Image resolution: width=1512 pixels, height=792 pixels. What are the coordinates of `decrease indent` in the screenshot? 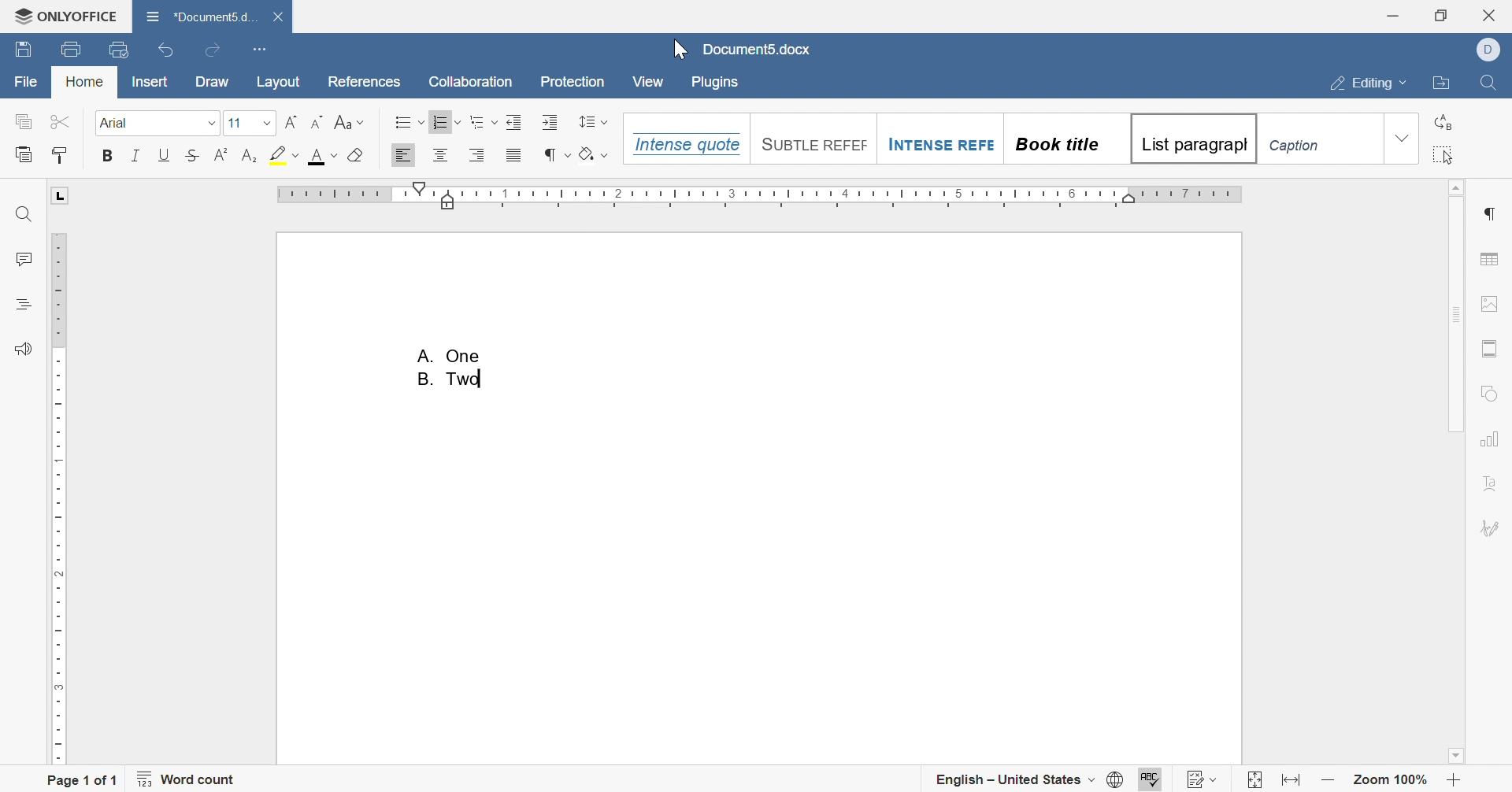 It's located at (513, 120).